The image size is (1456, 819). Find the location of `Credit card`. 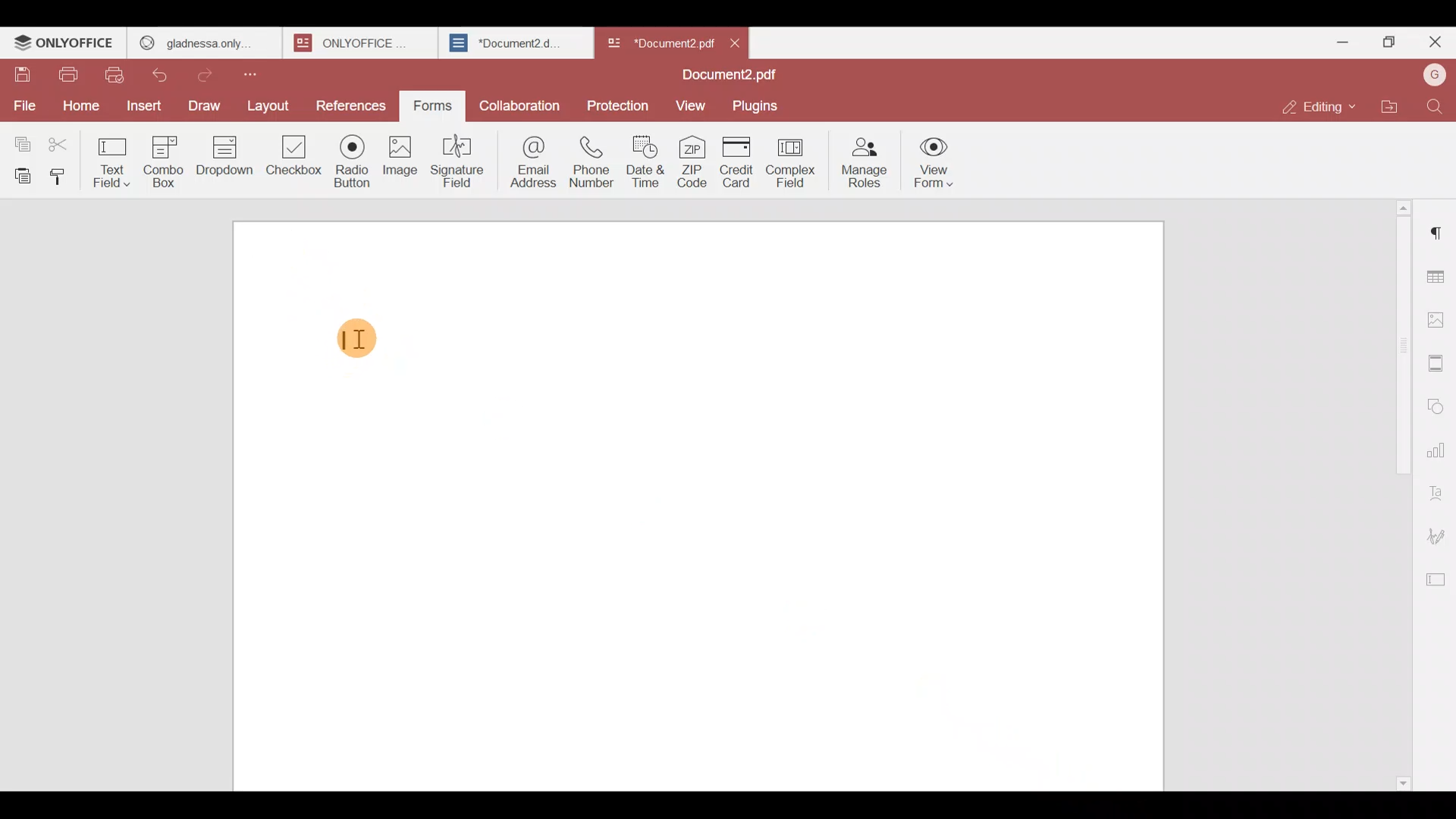

Credit card is located at coordinates (739, 162).